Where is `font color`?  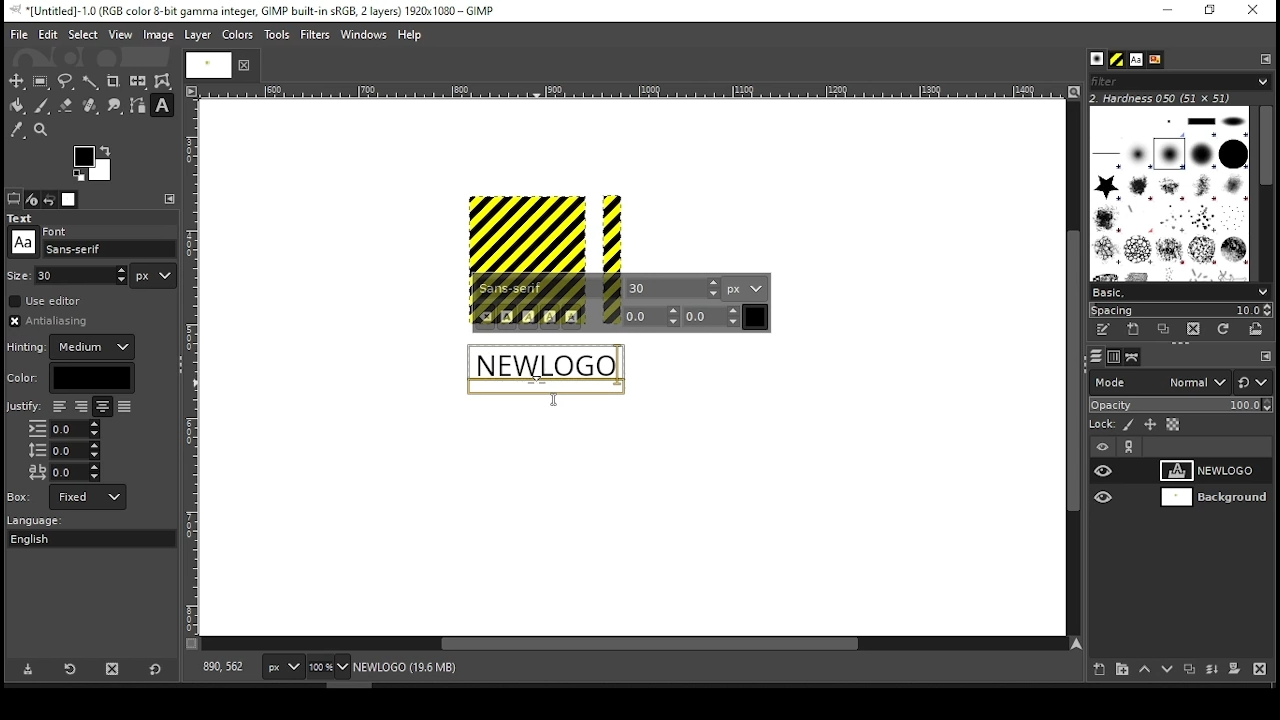 font color is located at coordinates (756, 317).